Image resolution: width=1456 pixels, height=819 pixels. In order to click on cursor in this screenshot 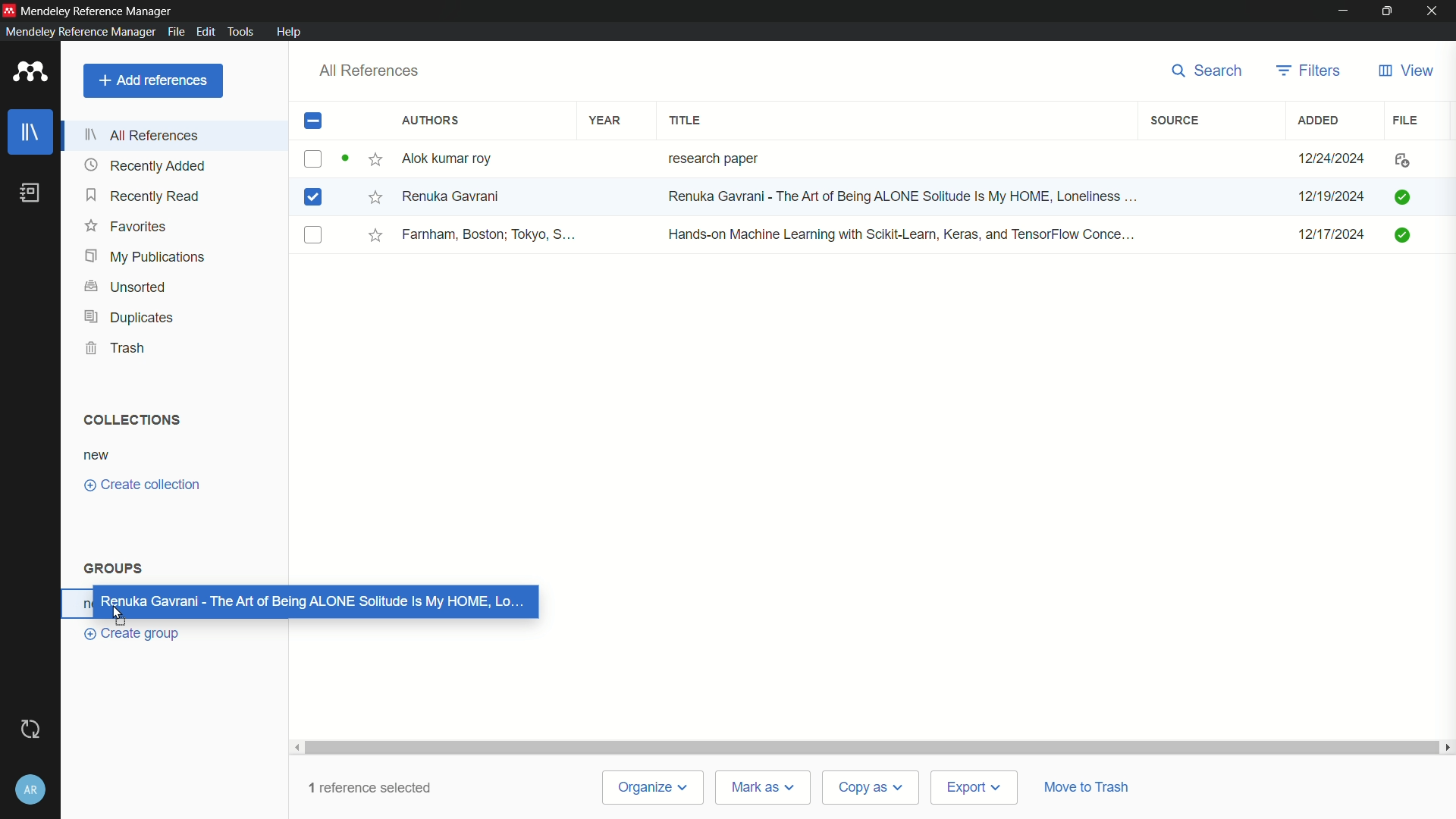, I will do `click(123, 611)`.